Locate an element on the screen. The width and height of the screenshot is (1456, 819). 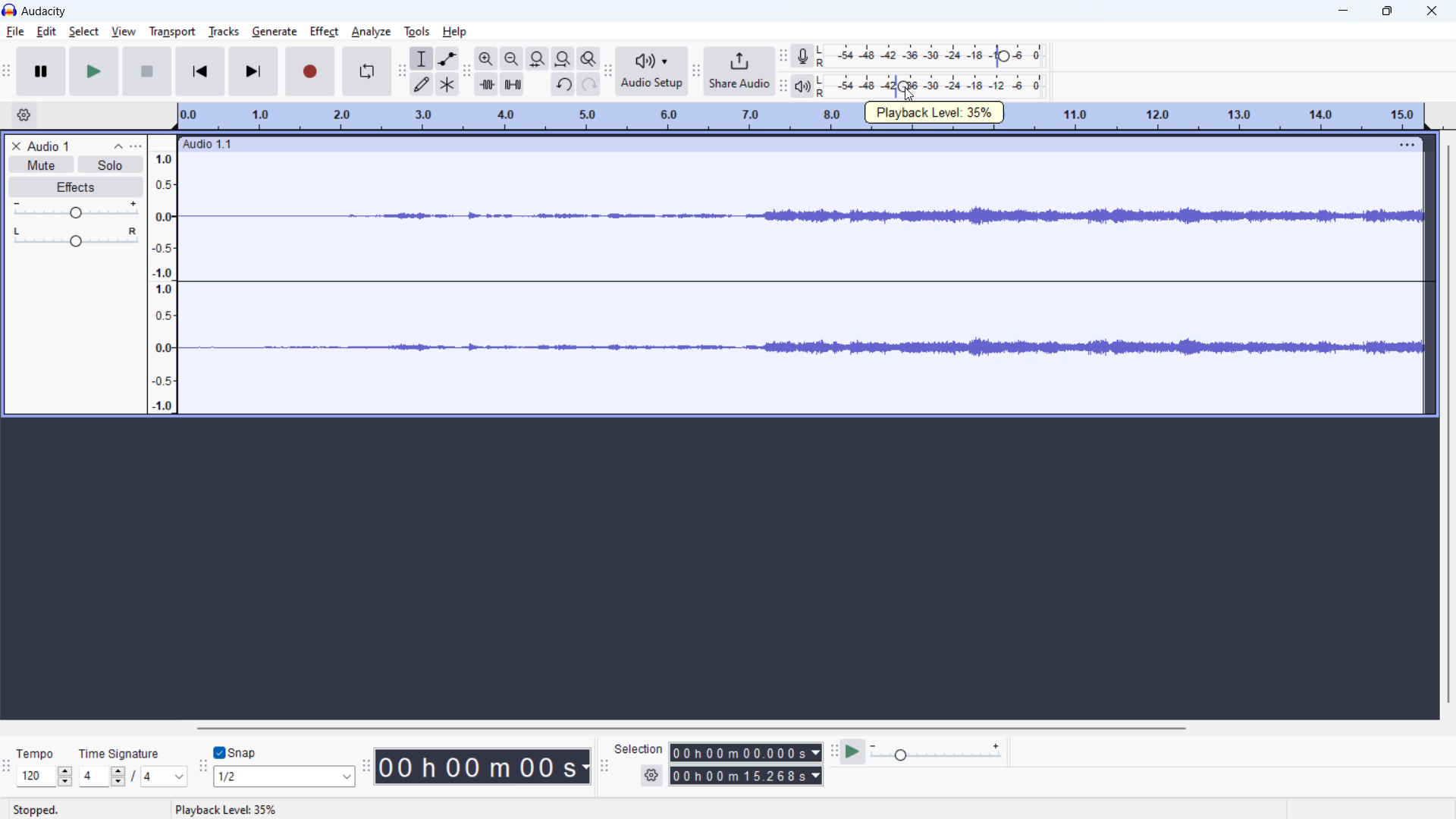
edit is located at coordinates (48, 31).